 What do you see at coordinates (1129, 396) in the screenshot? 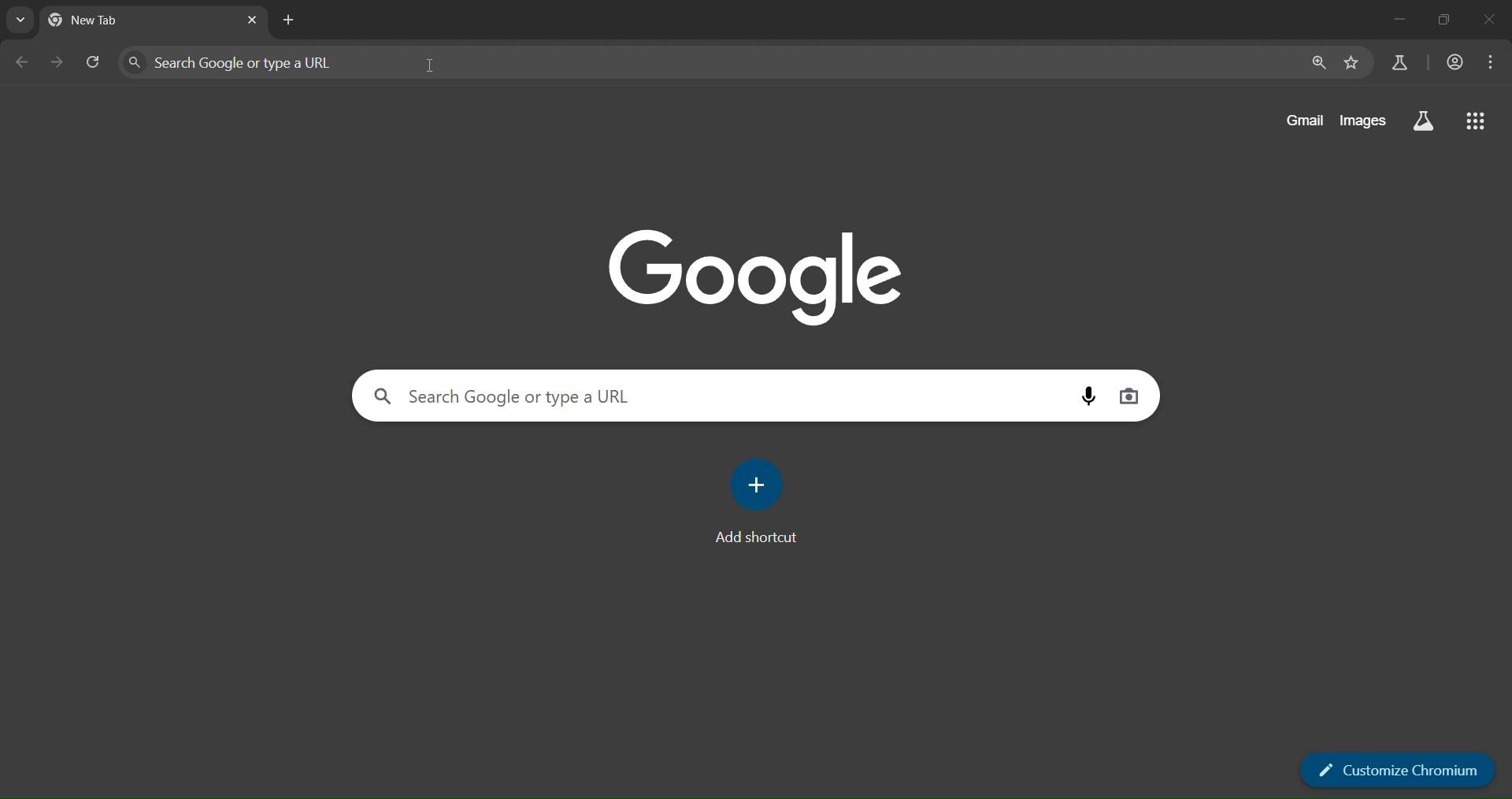
I see `image search` at bounding box center [1129, 396].